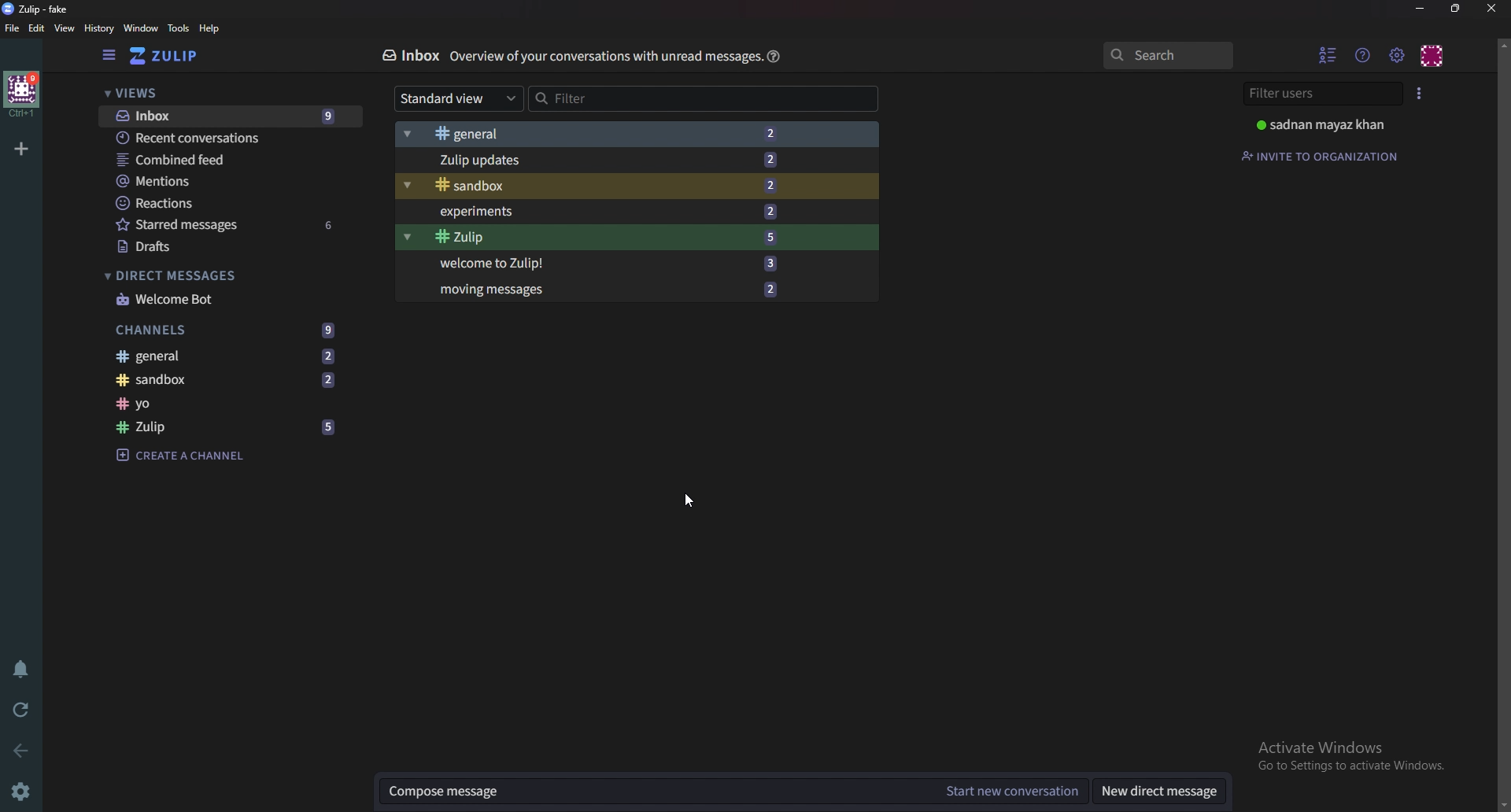 Image resolution: width=1511 pixels, height=812 pixels. I want to click on resize, so click(1457, 9).